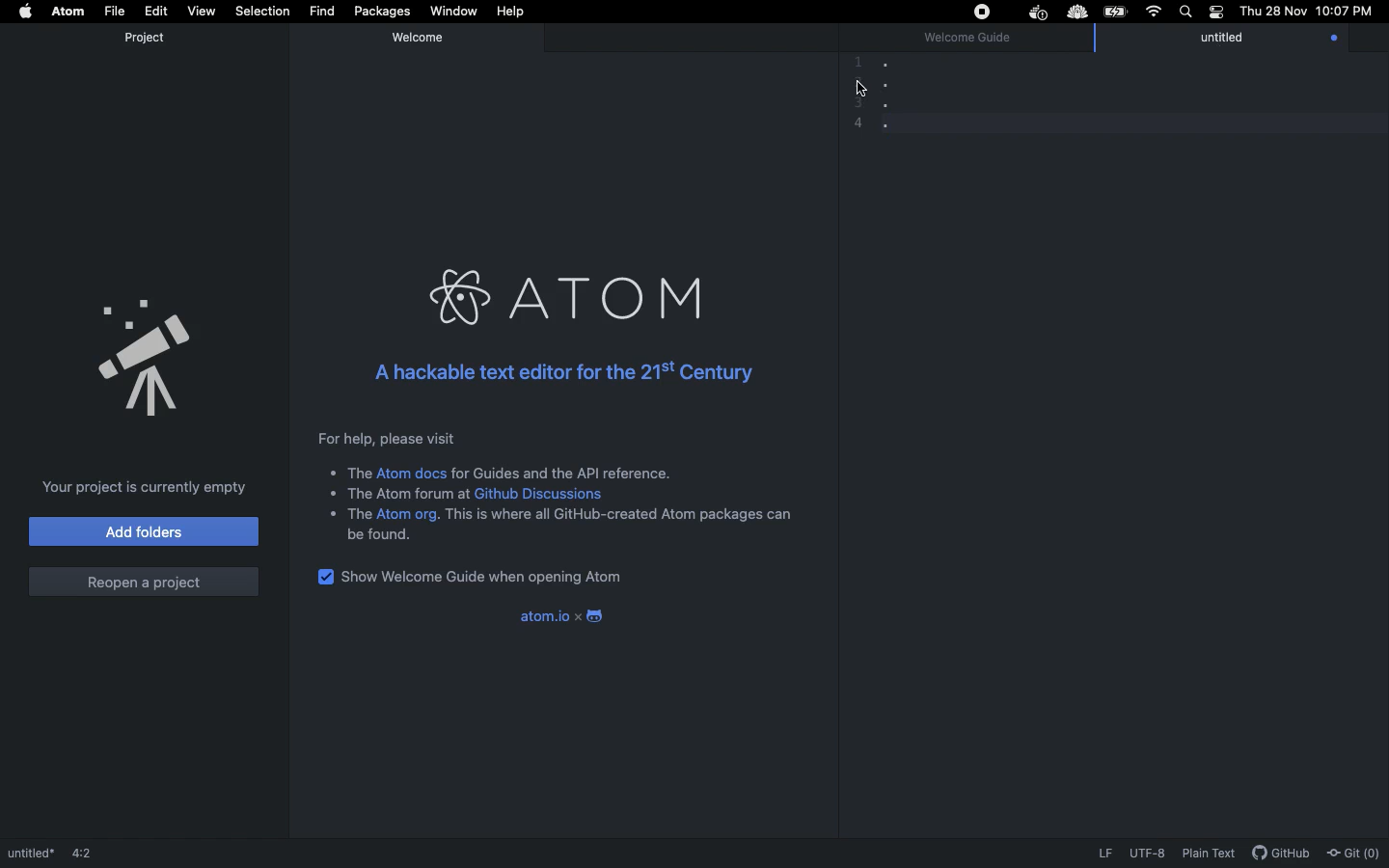 Image resolution: width=1389 pixels, height=868 pixels. Describe the element at coordinates (199, 10) in the screenshot. I see `View` at that location.